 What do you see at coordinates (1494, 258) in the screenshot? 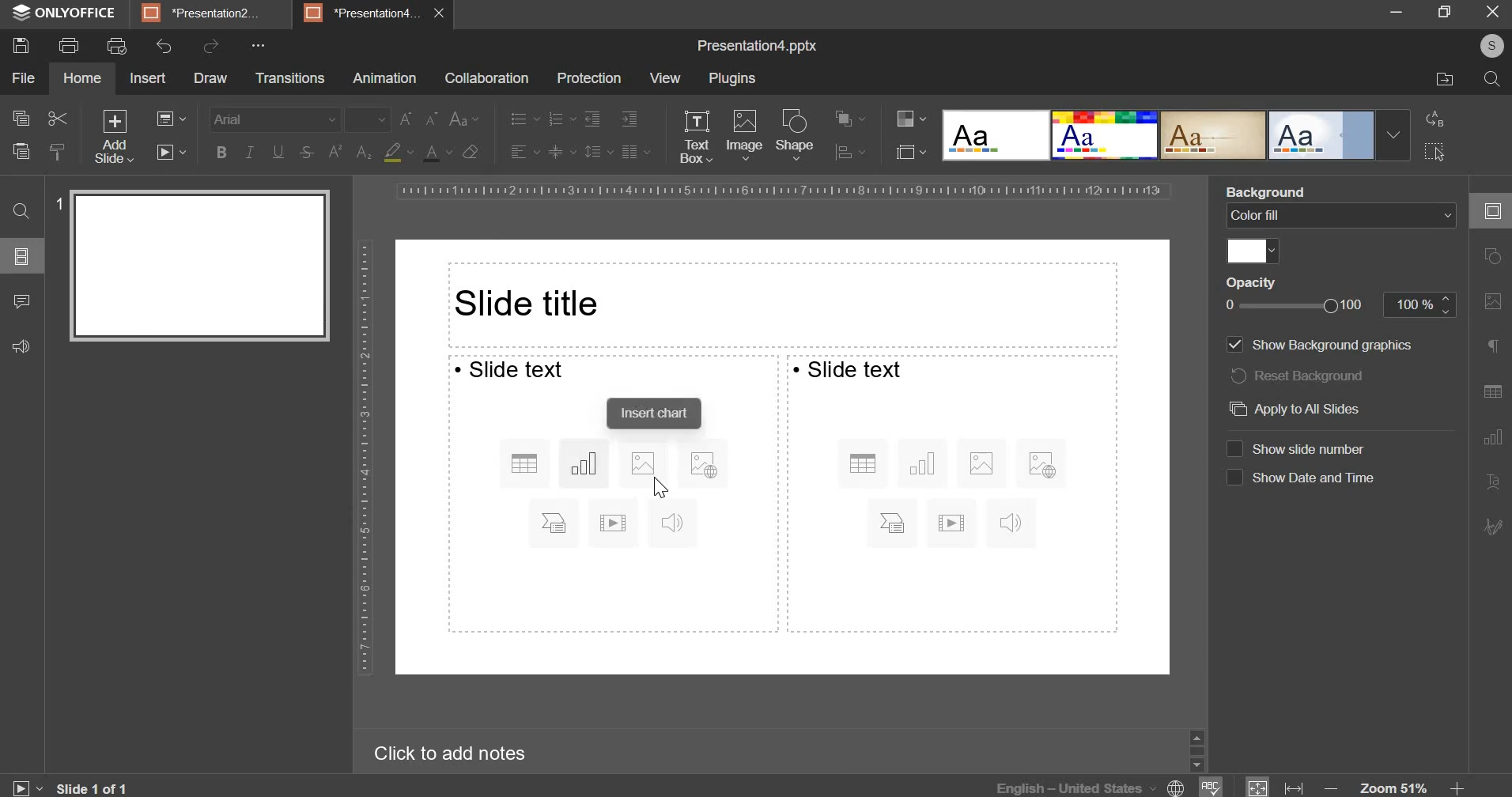
I see `shape setting` at bounding box center [1494, 258].